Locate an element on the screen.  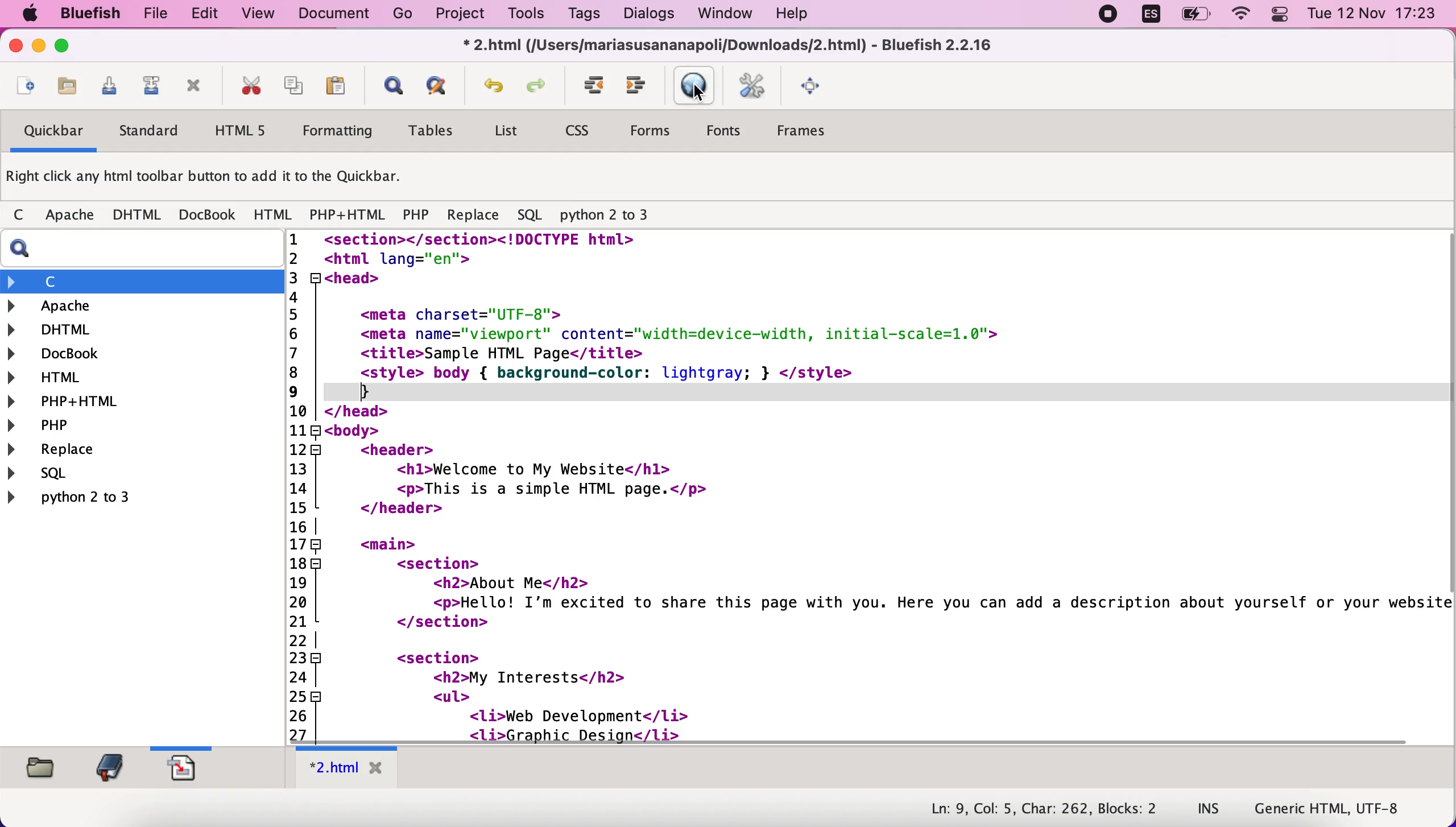
bookmarks is located at coordinates (111, 769).